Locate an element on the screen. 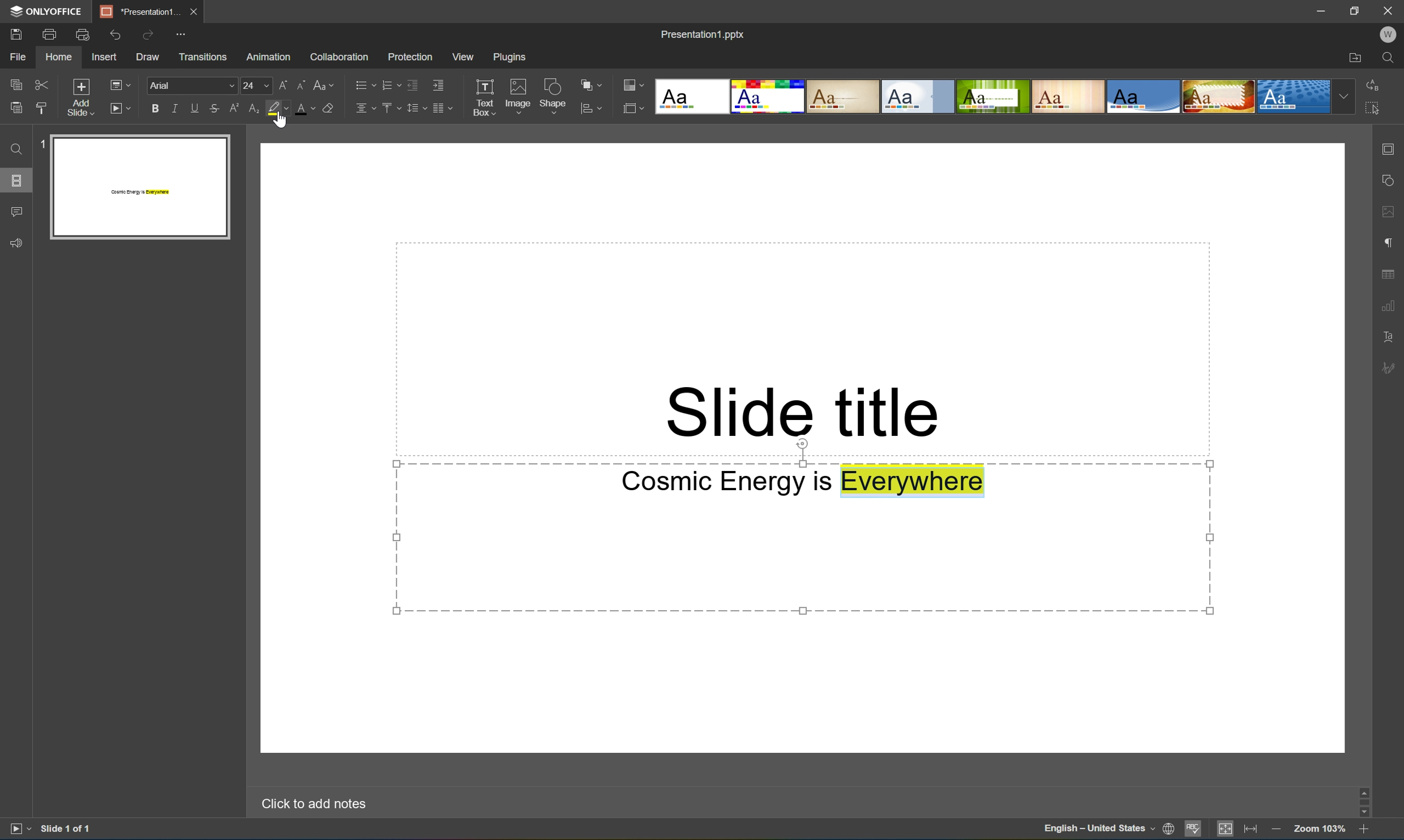  Save is located at coordinates (16, 34).